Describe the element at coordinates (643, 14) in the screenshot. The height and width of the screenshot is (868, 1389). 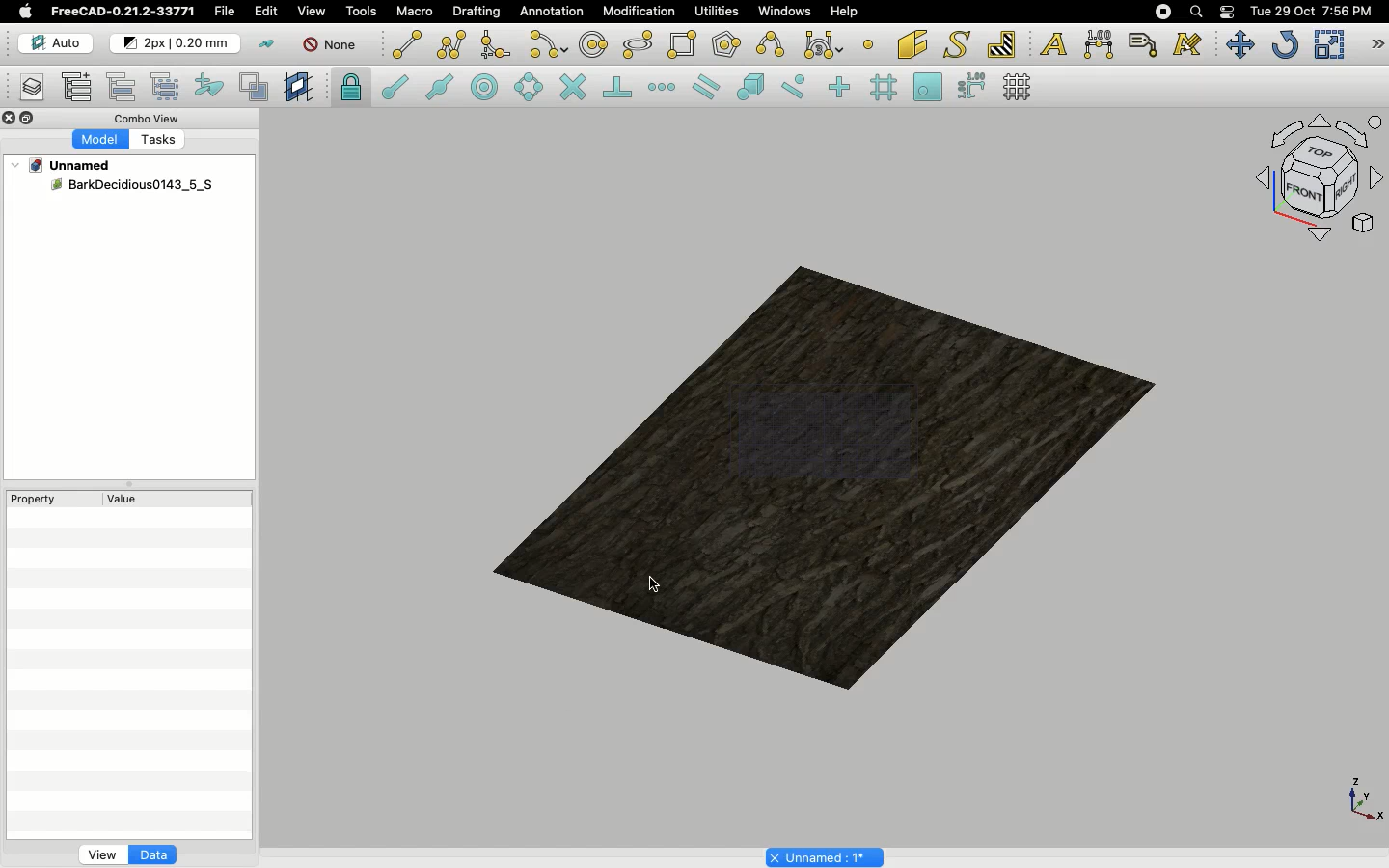
I see `Modification` at that location.